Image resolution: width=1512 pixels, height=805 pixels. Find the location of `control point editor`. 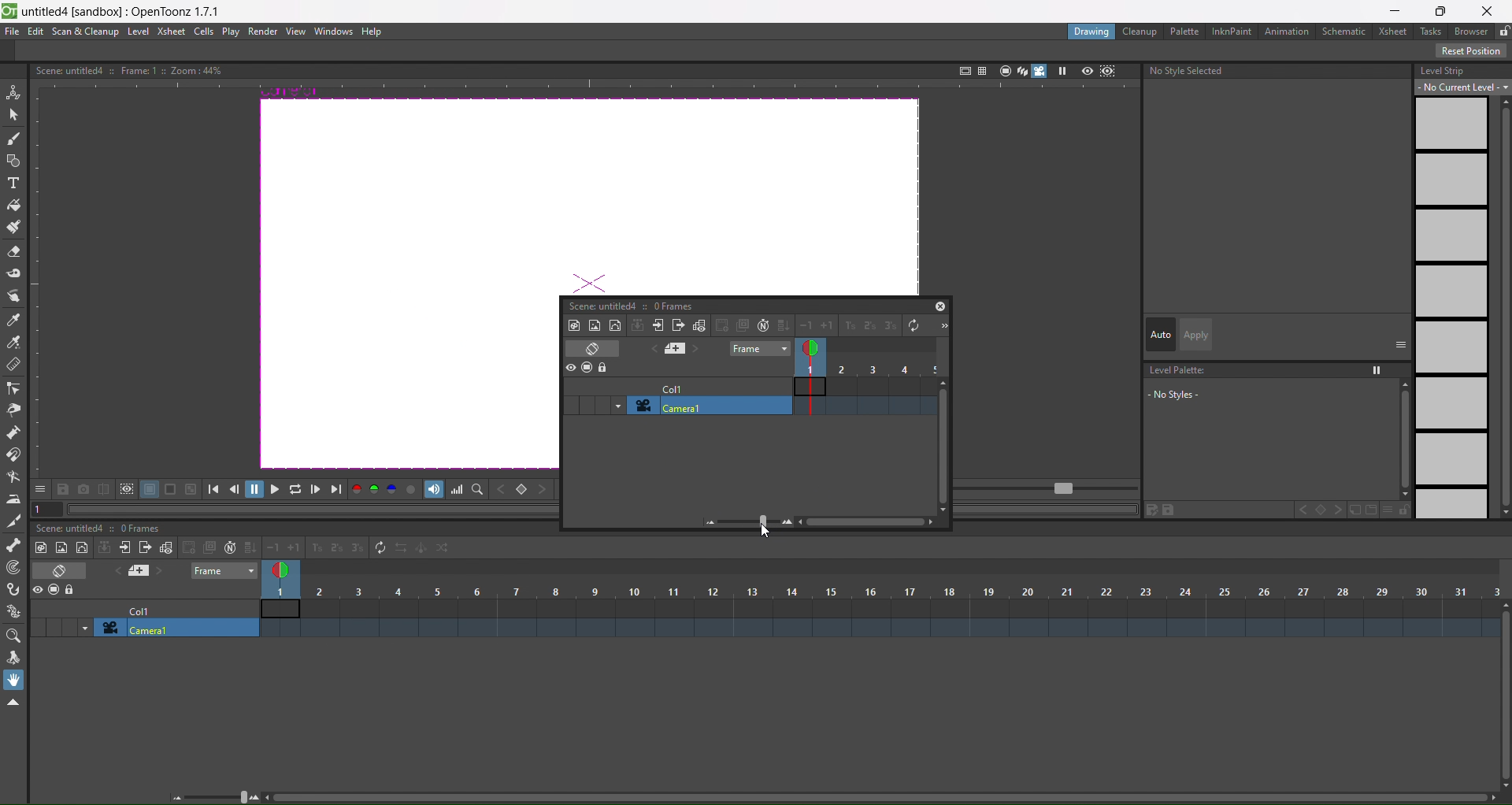

control point editor is located at coordinates (13, 388).